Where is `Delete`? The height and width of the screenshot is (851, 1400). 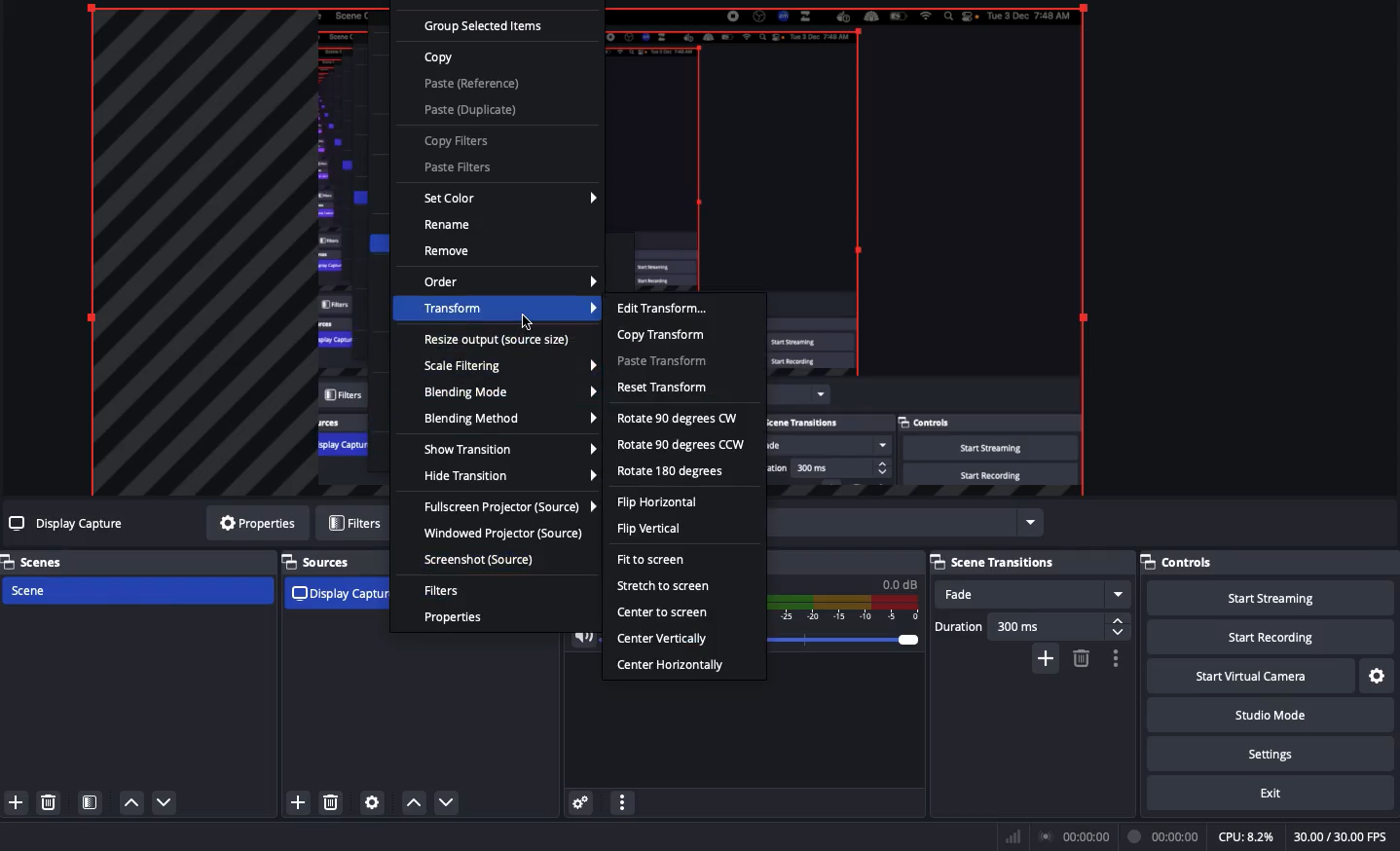
Delete is located at coordinates (48, 801).